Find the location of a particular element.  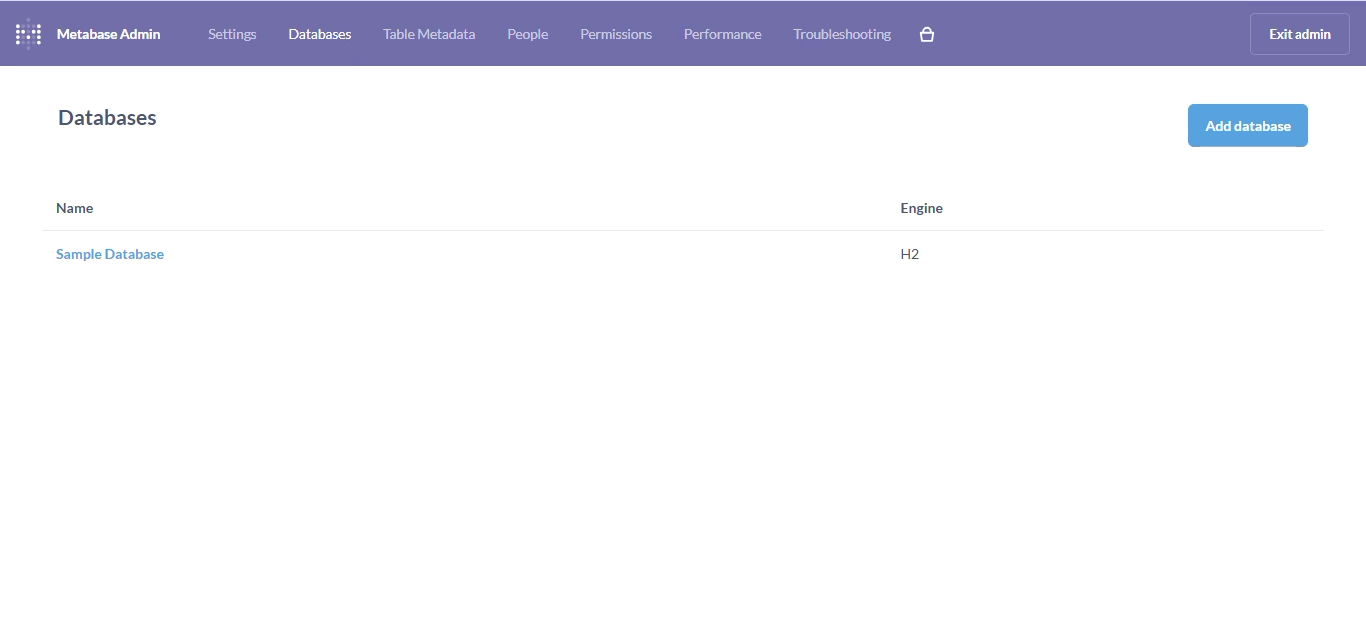

logo is located at coordinates (28, 33).